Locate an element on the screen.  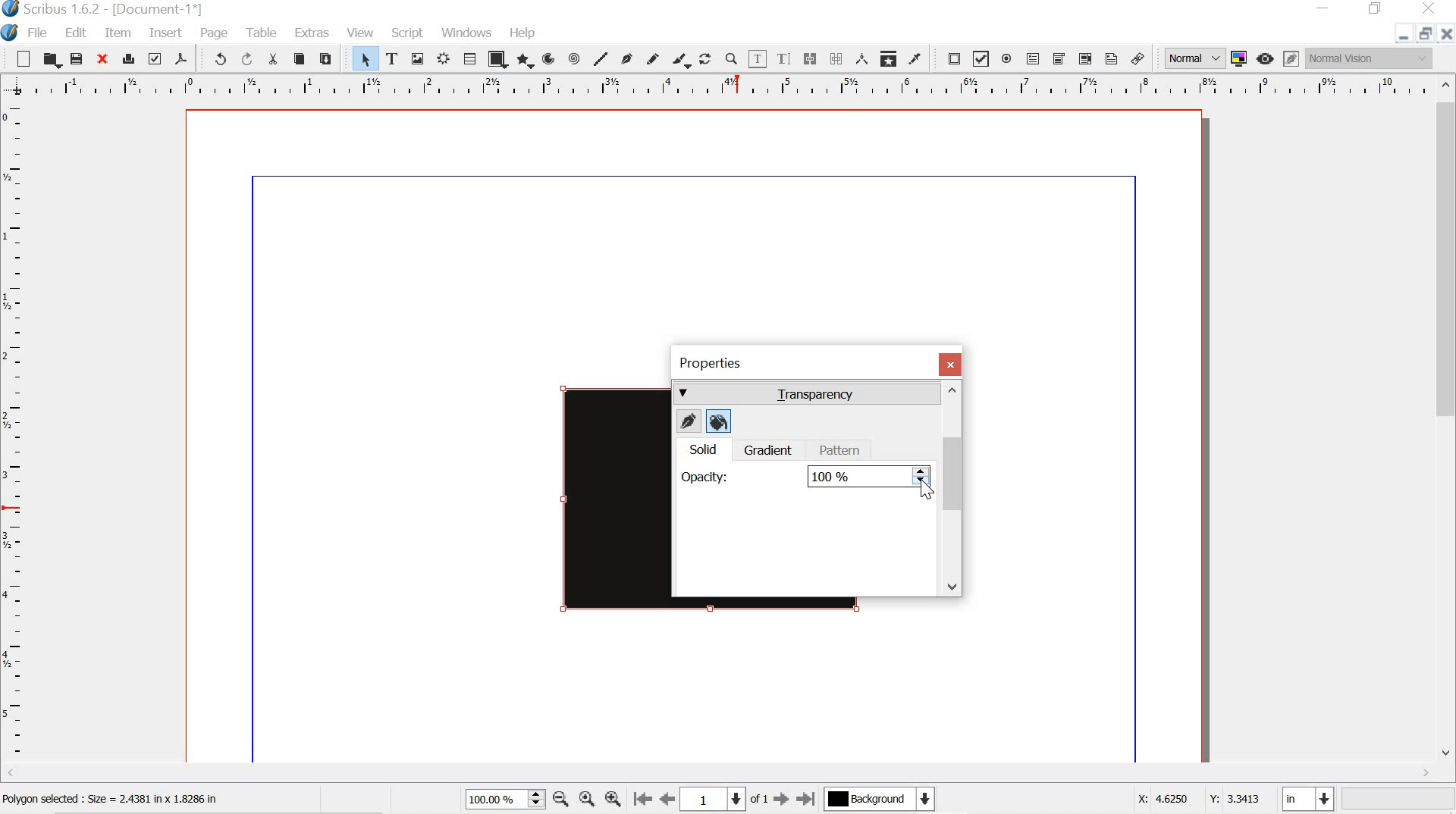
cursor is located at coordinates (927, 493).